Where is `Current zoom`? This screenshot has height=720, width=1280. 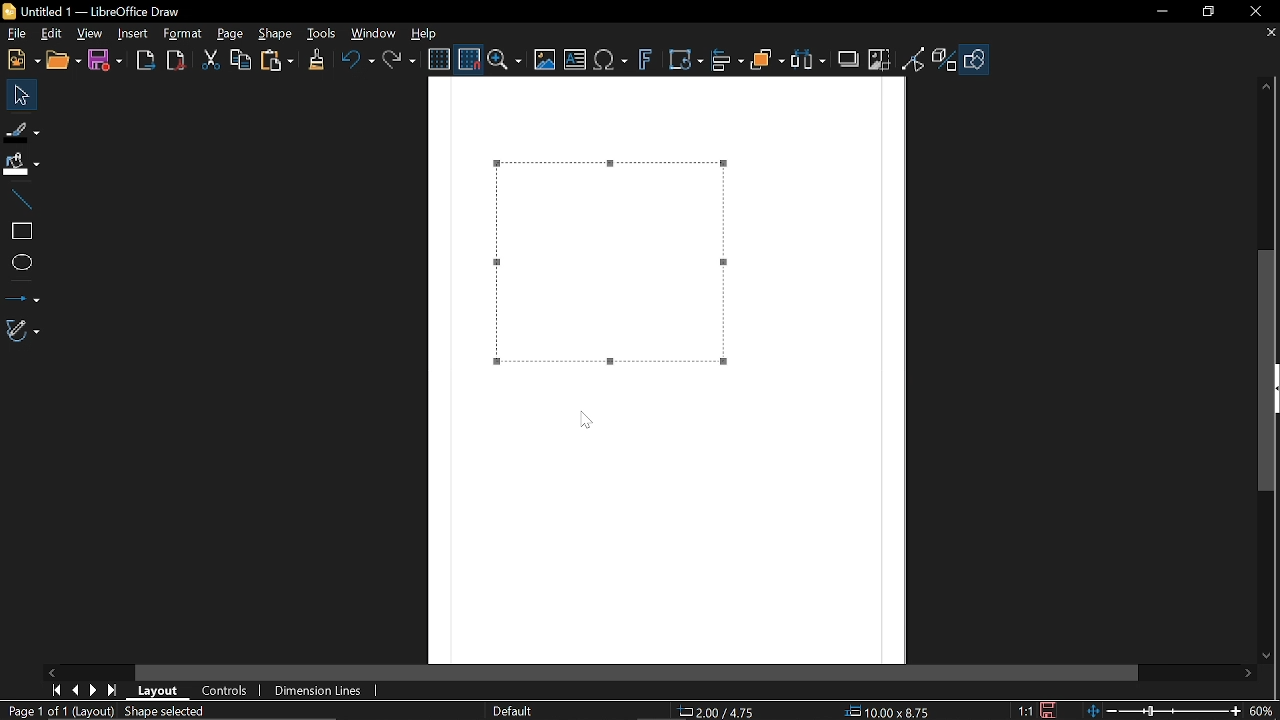 Current zoom is located at coordinates (1263, 710).